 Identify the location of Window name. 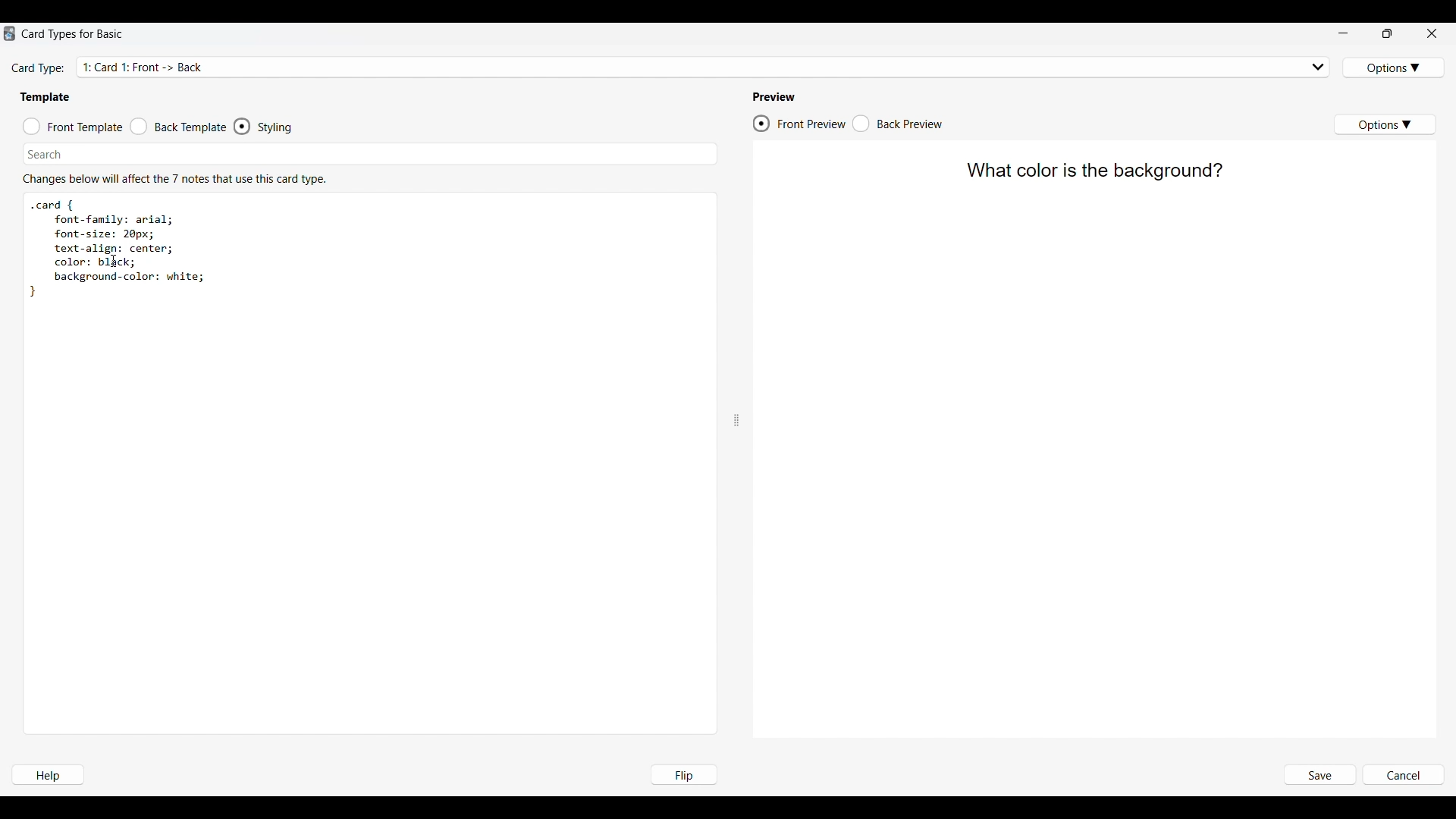
(74, 34).